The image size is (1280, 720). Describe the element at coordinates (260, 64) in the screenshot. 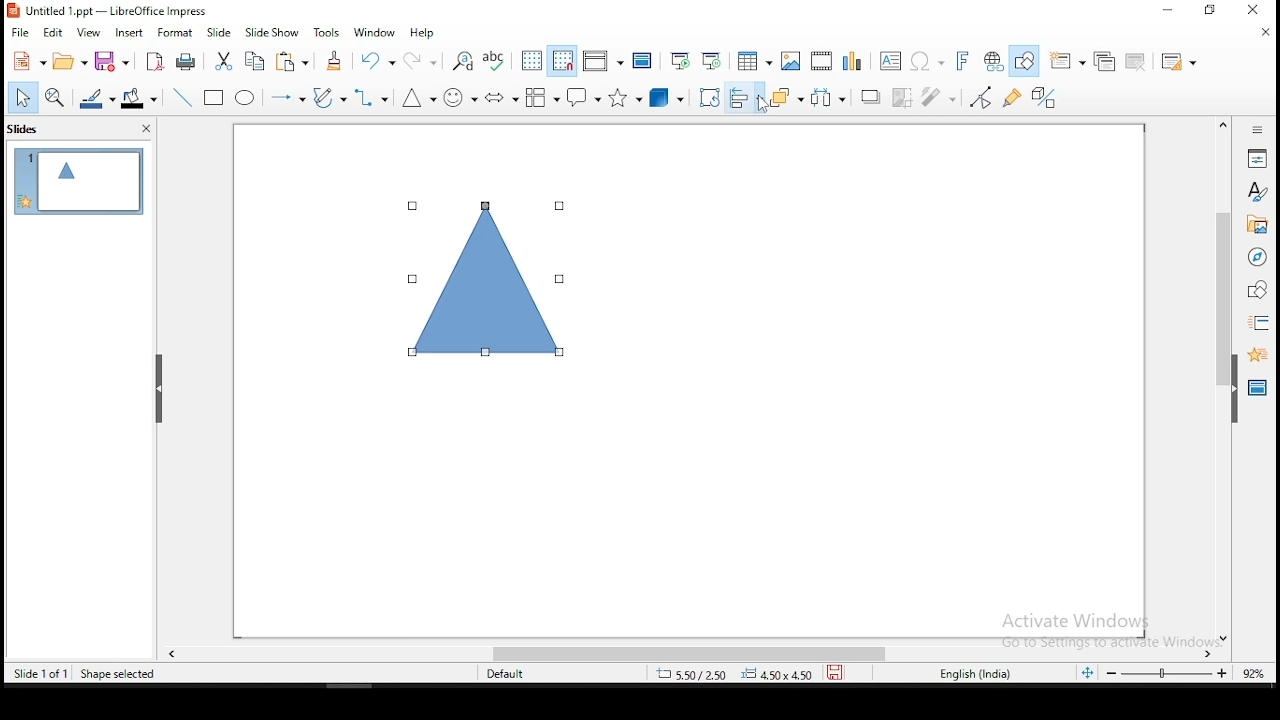

I see `copy` at that location.